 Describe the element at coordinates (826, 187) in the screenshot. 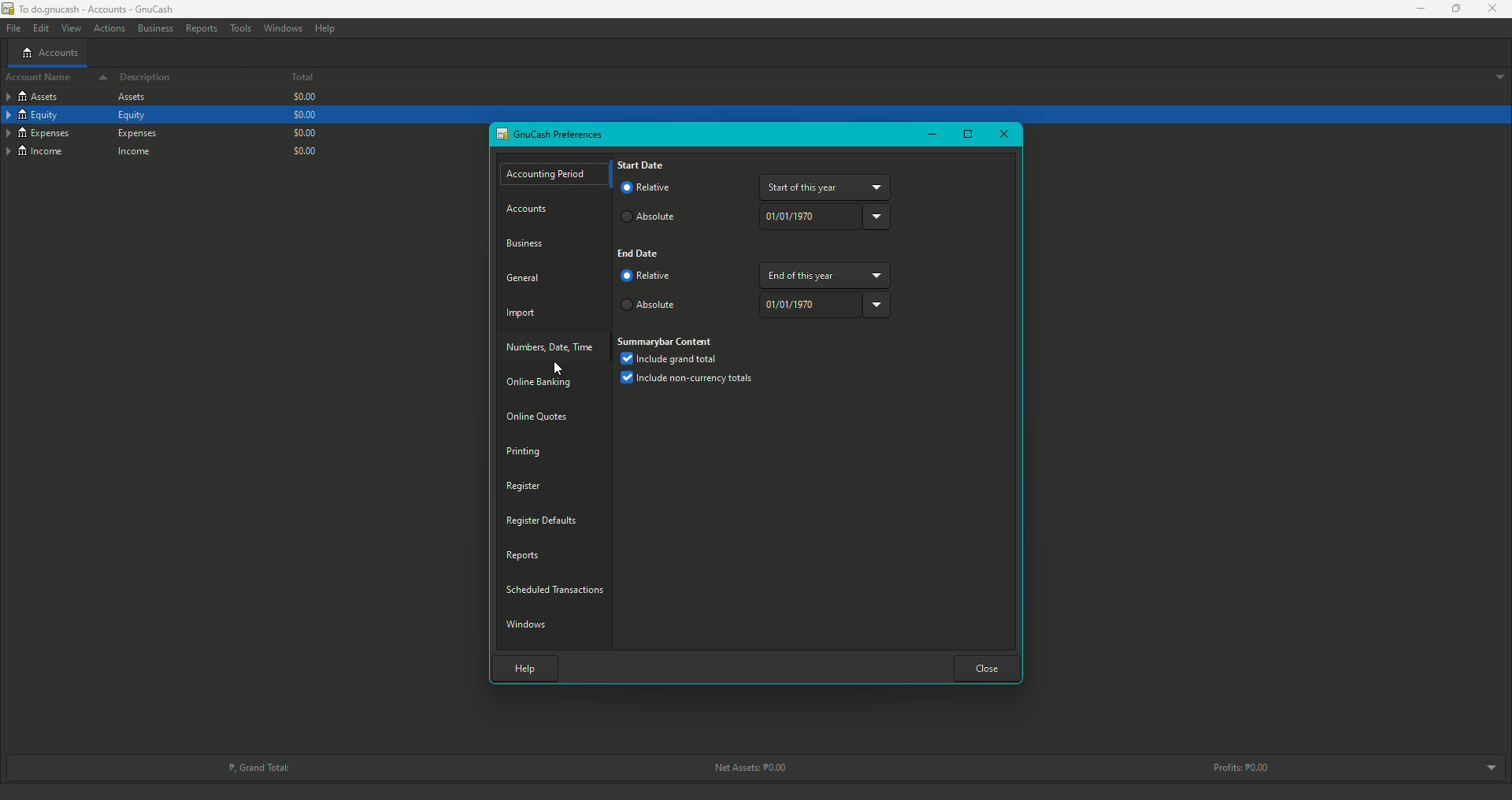

I see `Start of this year` at that location.